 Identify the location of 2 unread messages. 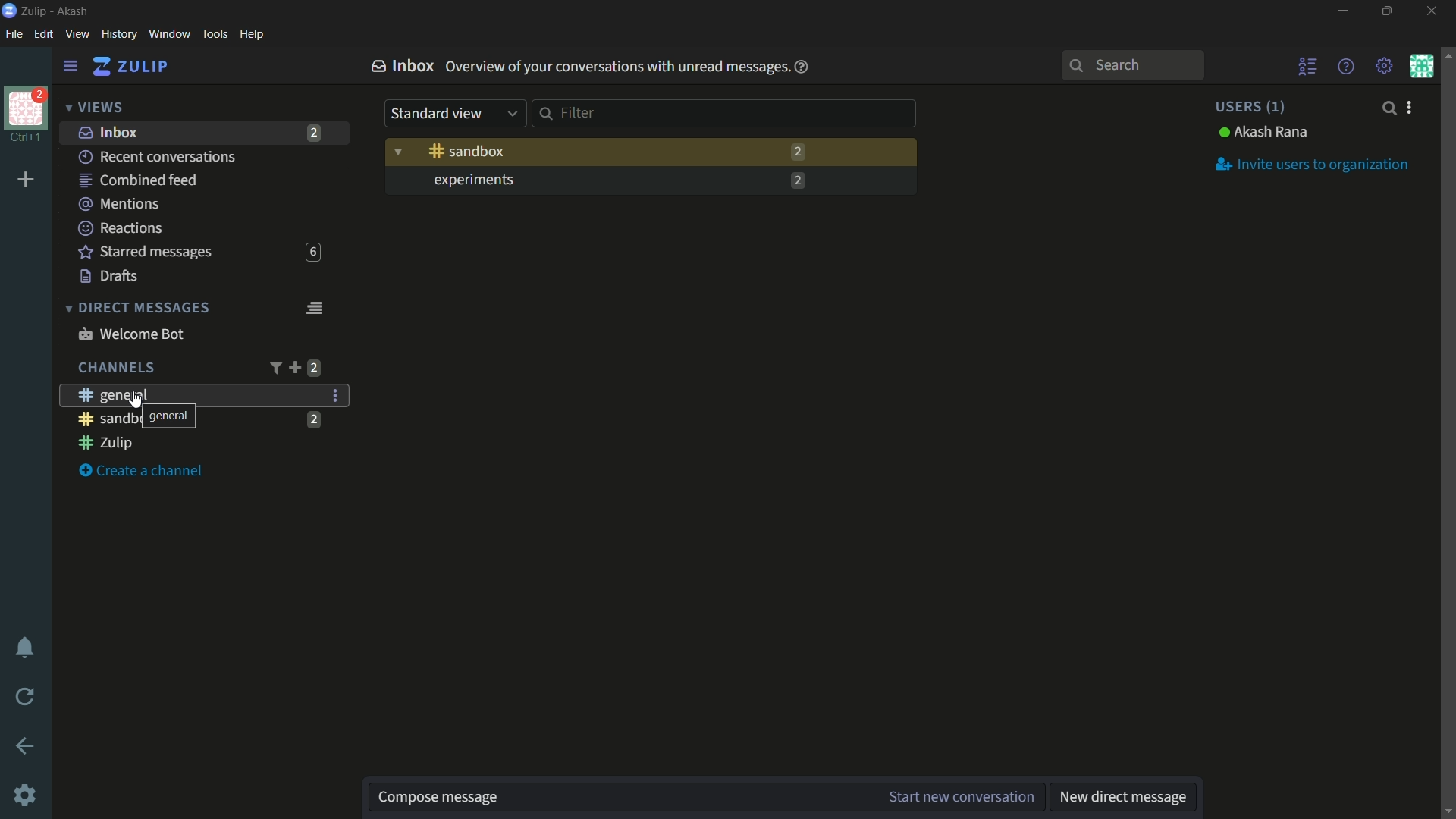
(315, 133).